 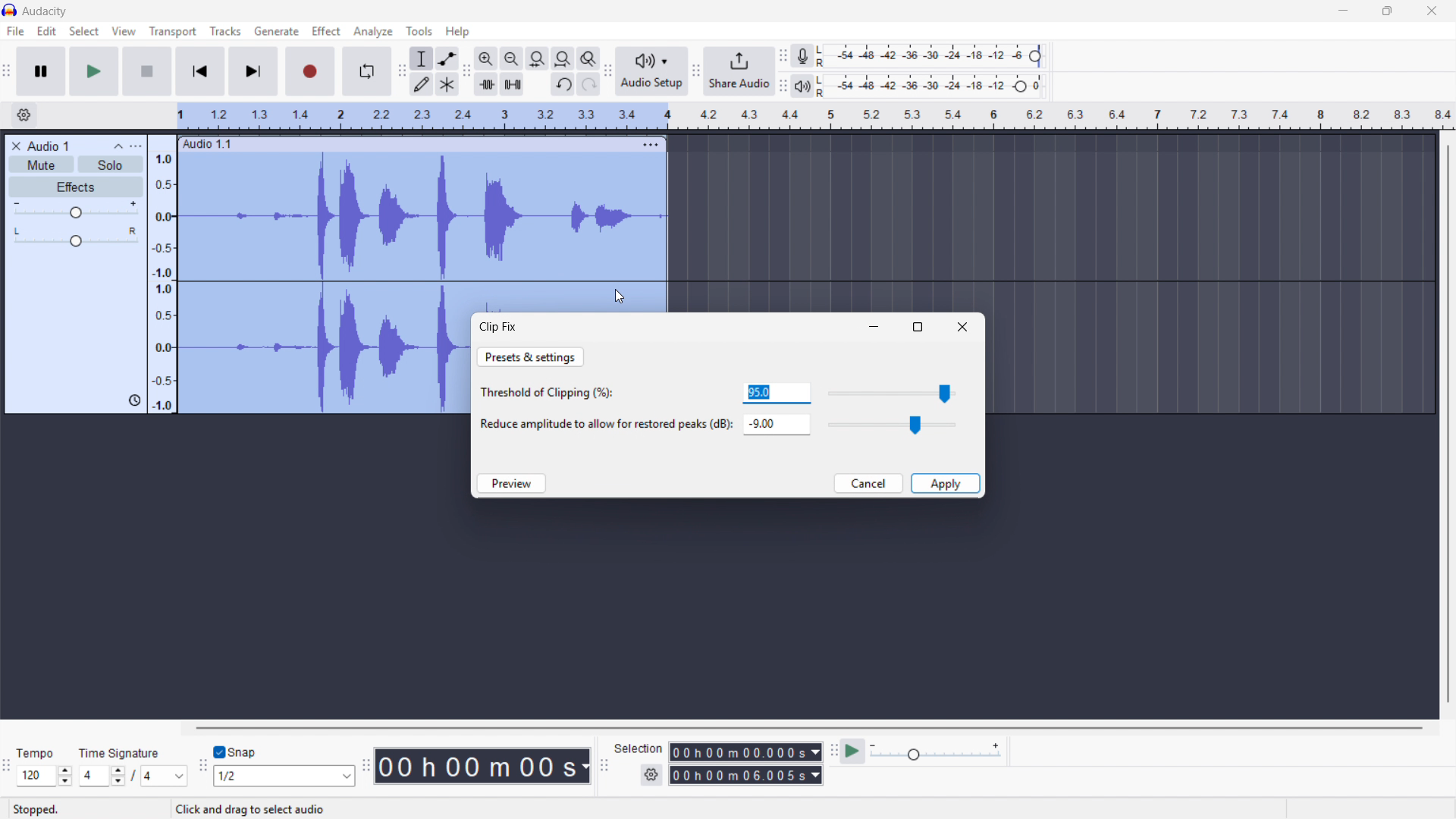 I want to click on Set tempo, so click(x=43, y=767).